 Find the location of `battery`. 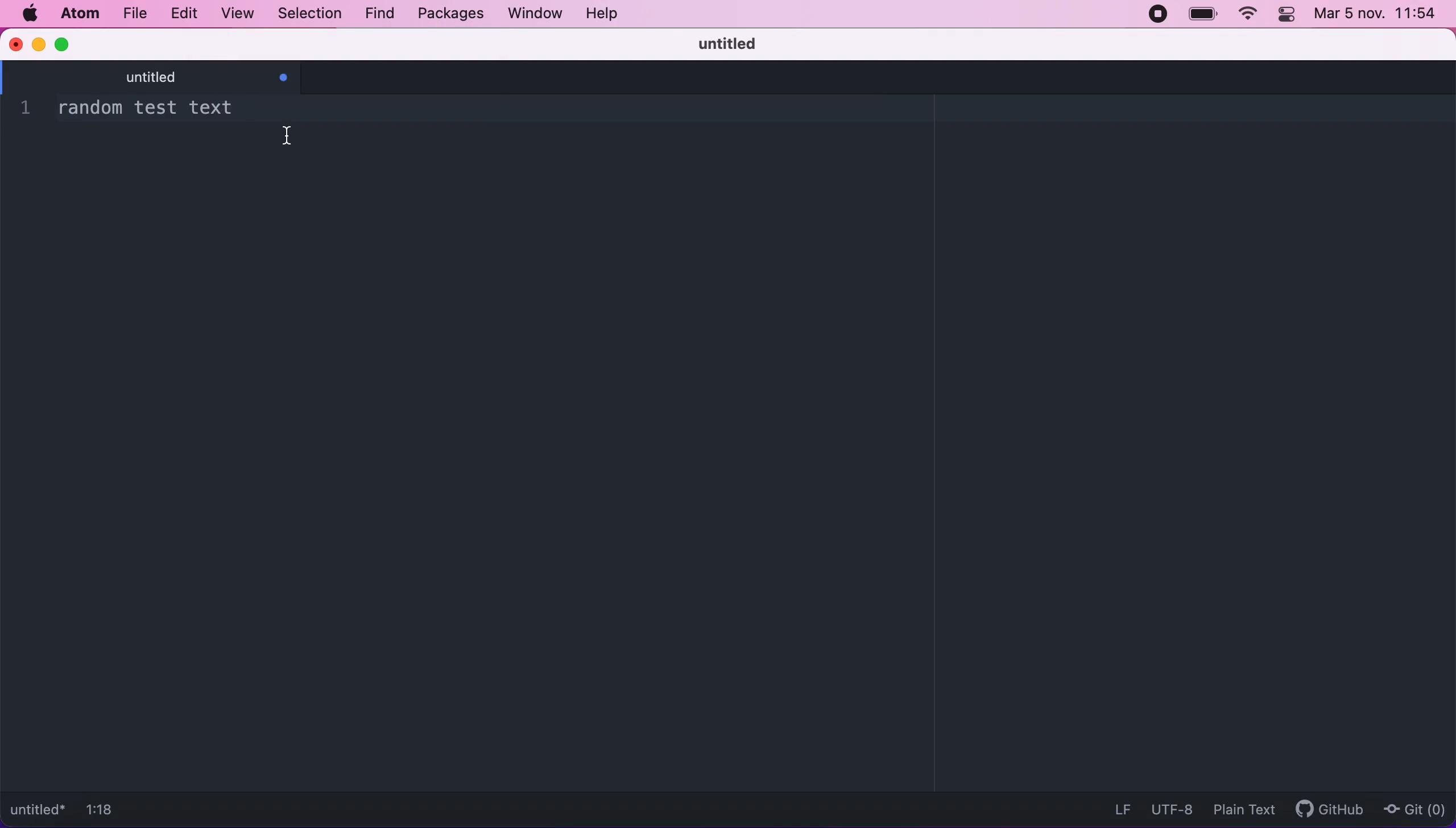

battery is located at coordinates (1203, 14).